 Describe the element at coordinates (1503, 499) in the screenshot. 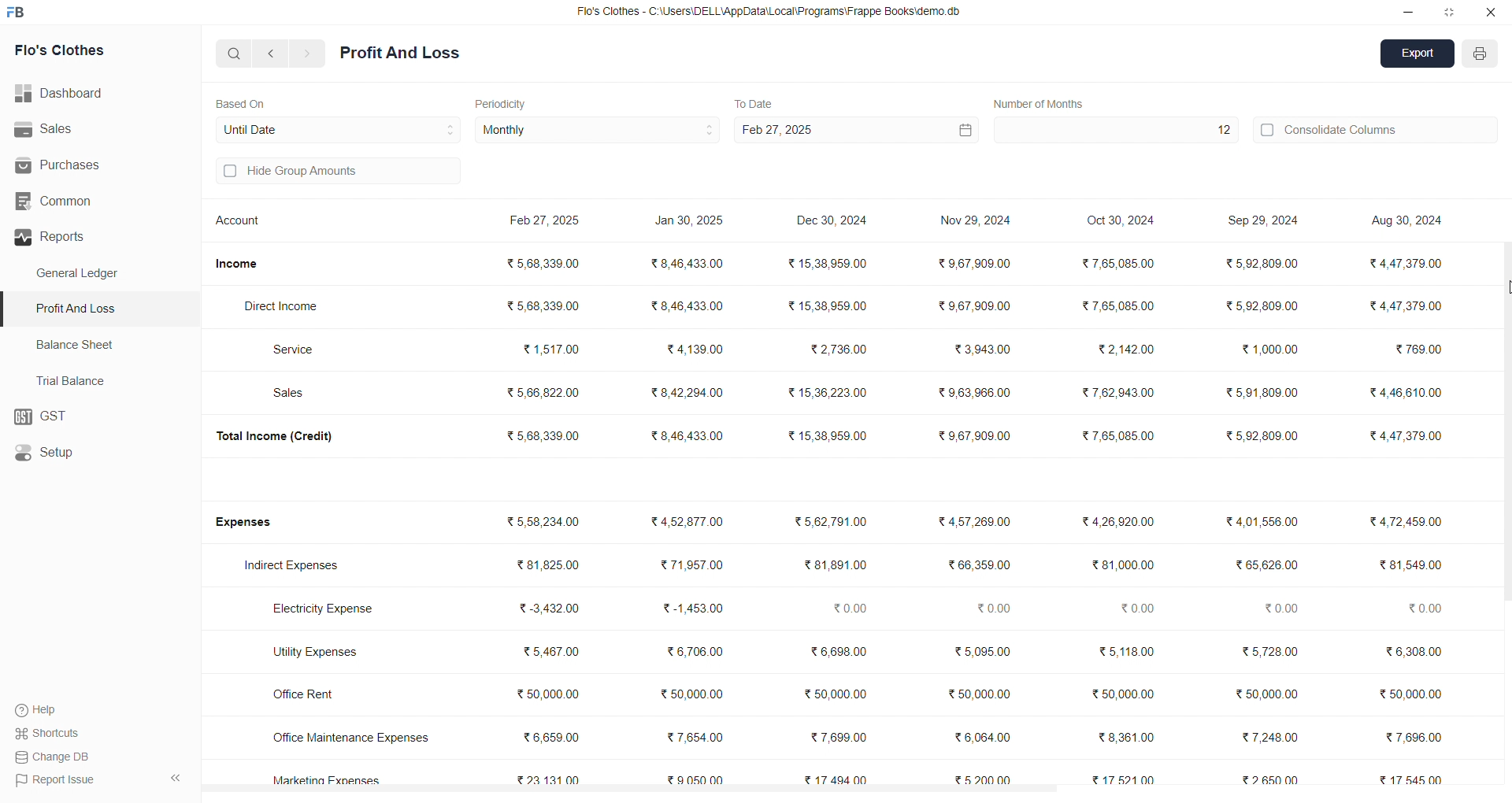

I see `vertical scroll bar` at that location.